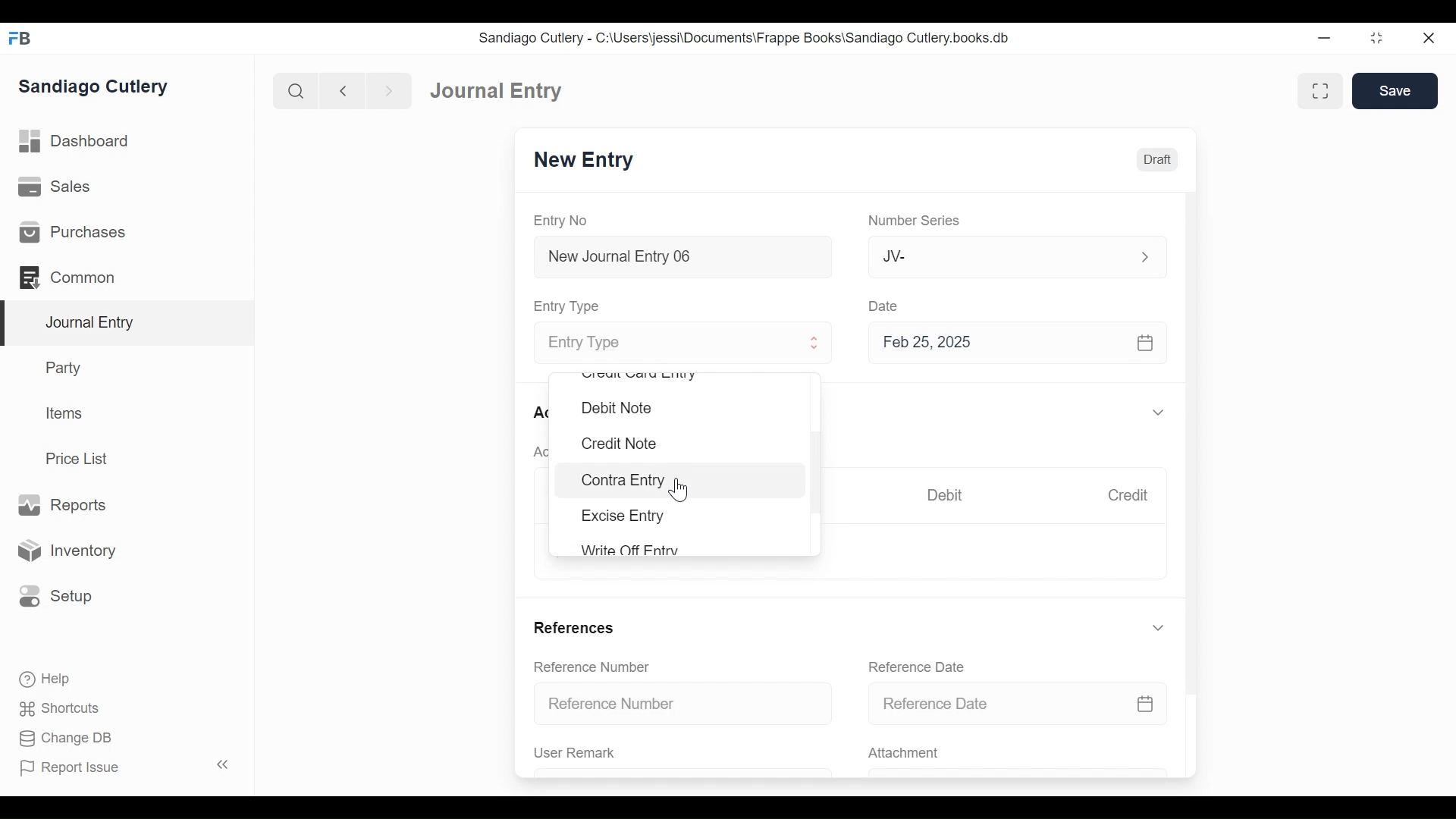 The height and width of the screenshot is (819, 1456). Describe the element at coordinates (628, 549) in the screenshot. I see `Write Off Entry` at that location.